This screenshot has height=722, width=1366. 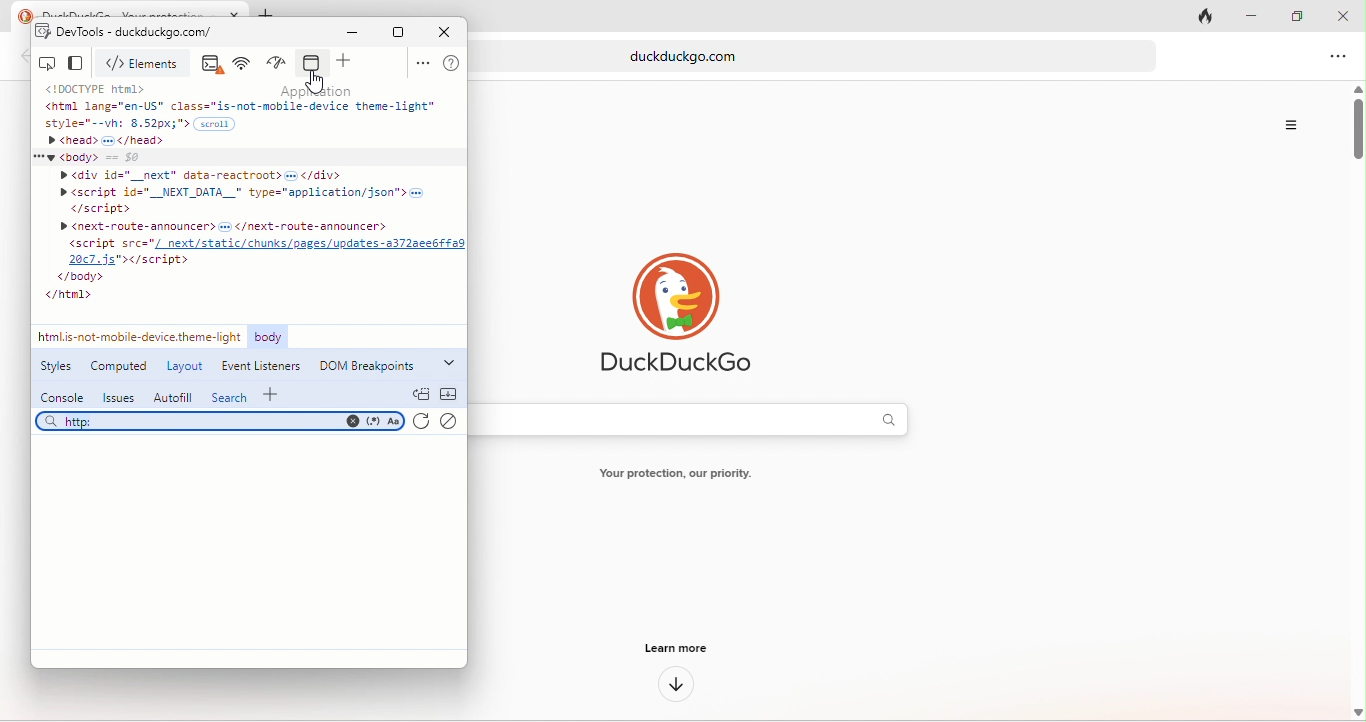 What do you see at coordinates (275, 65) in the screenshot?
I see `performance` at bounding box center [275, 65].